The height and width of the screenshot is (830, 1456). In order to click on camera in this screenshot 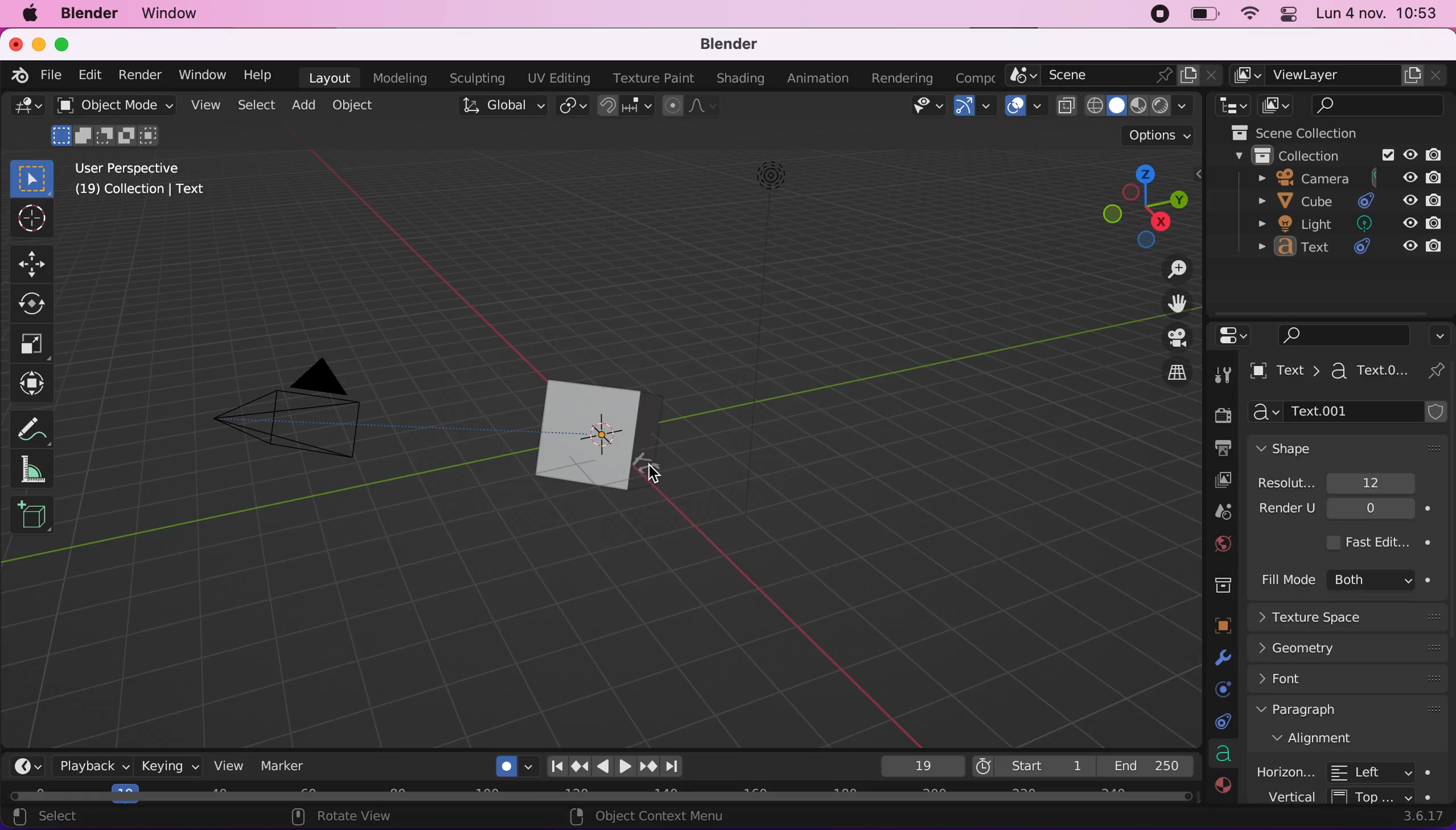, I will do `click(1340, 180)`.